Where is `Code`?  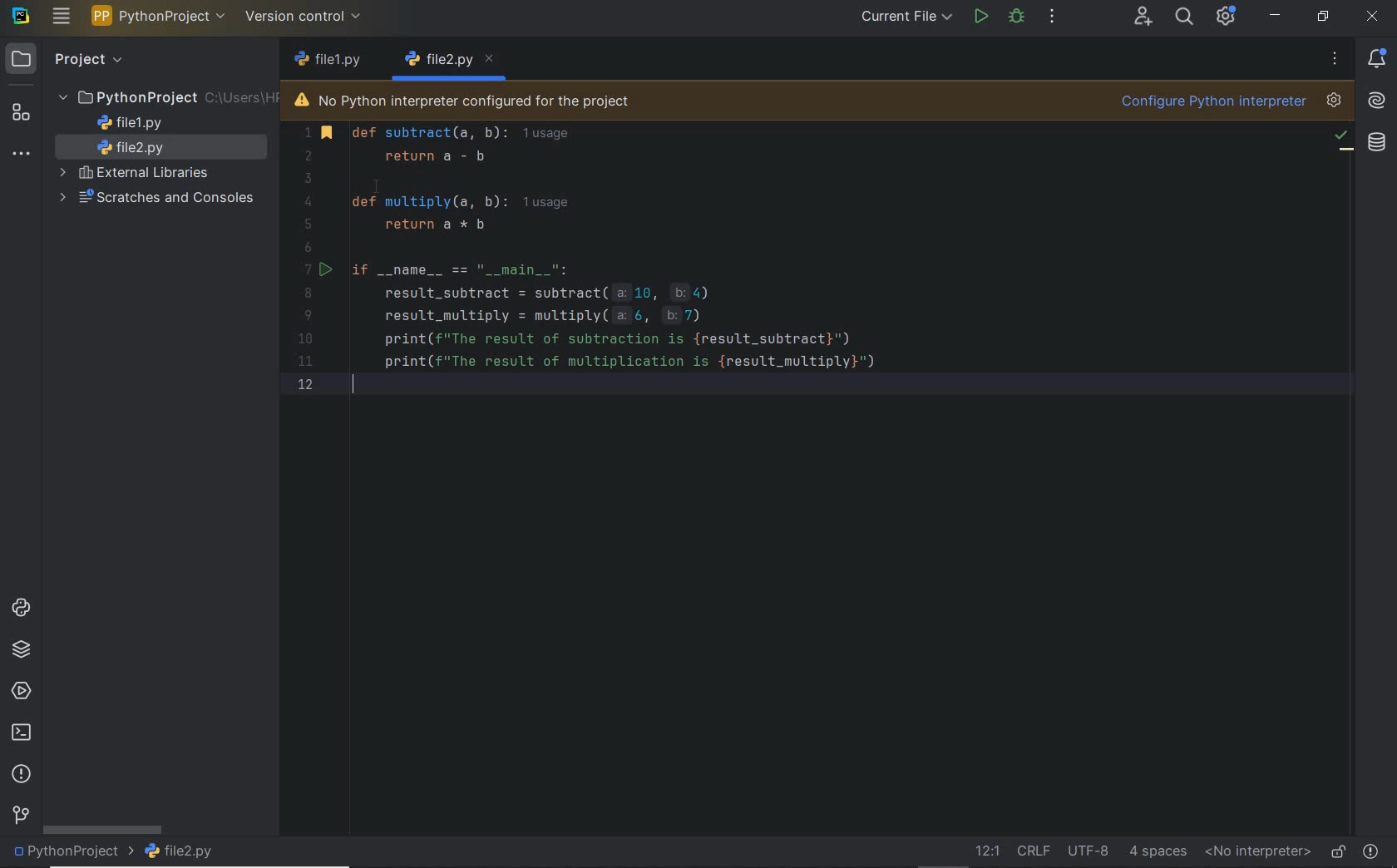 Code is located at coordinates (616, 248).